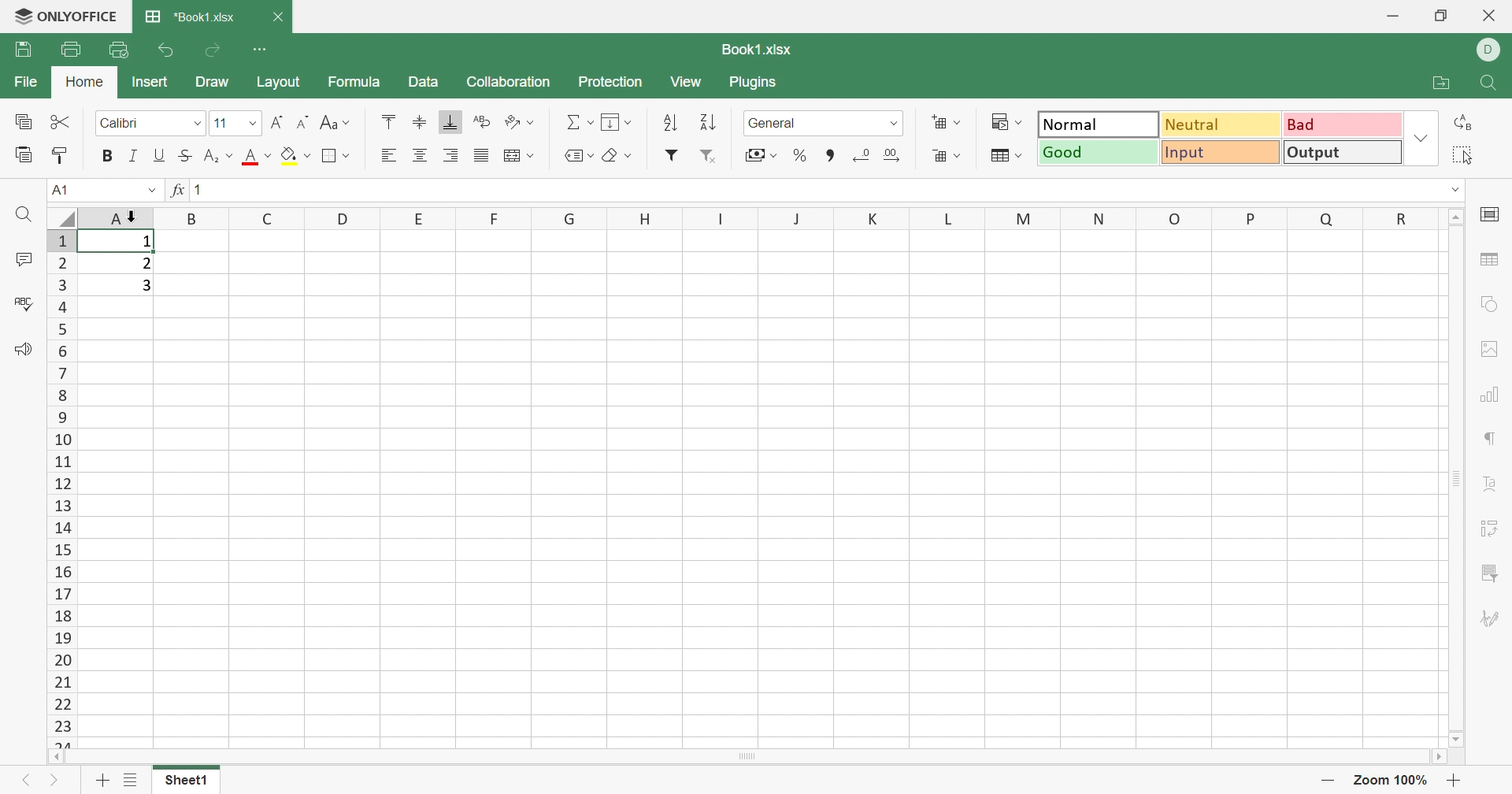 The height and width of the screenshot is (794, 1512). What do you see at coordinates (1005, 121) in the screenshot?
I see `Conditional formatting` at bounding box center [1005, 121].